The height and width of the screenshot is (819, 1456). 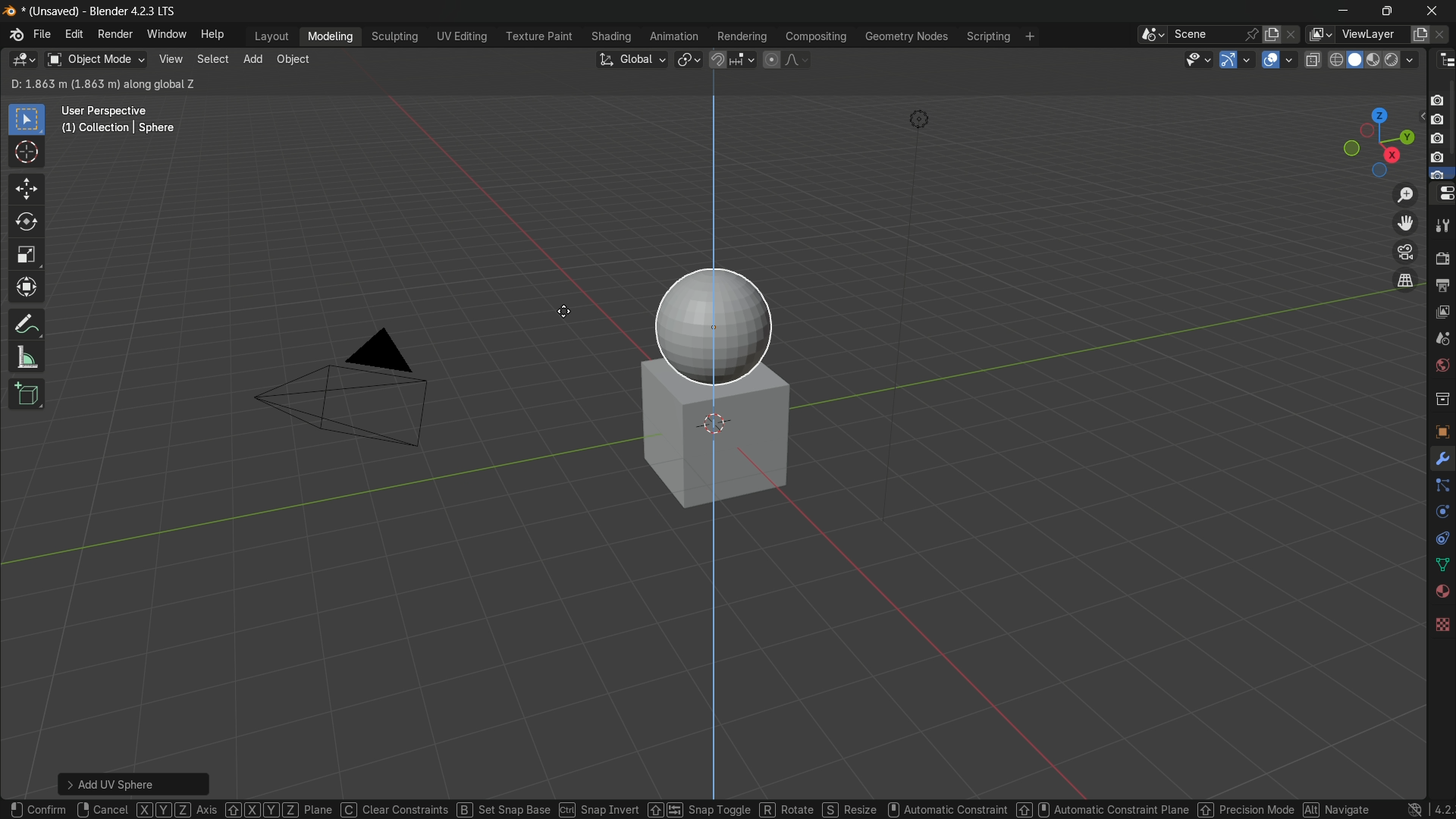 What do you see at coordinates (1295, 36) in the screenshot?
I see `delete scenes` at bounding box center [1295, 36].